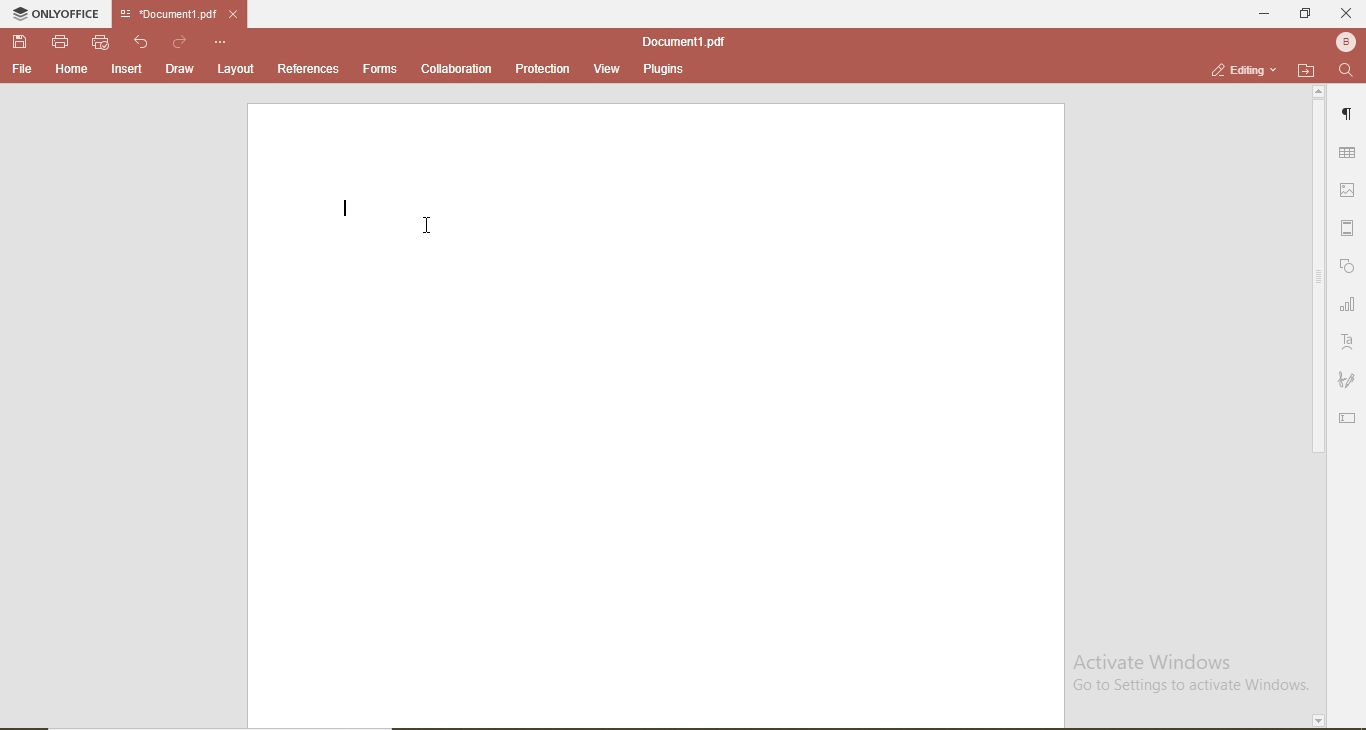 The image size is (1366, 730). I want to click on font style, so click(1350, 341).